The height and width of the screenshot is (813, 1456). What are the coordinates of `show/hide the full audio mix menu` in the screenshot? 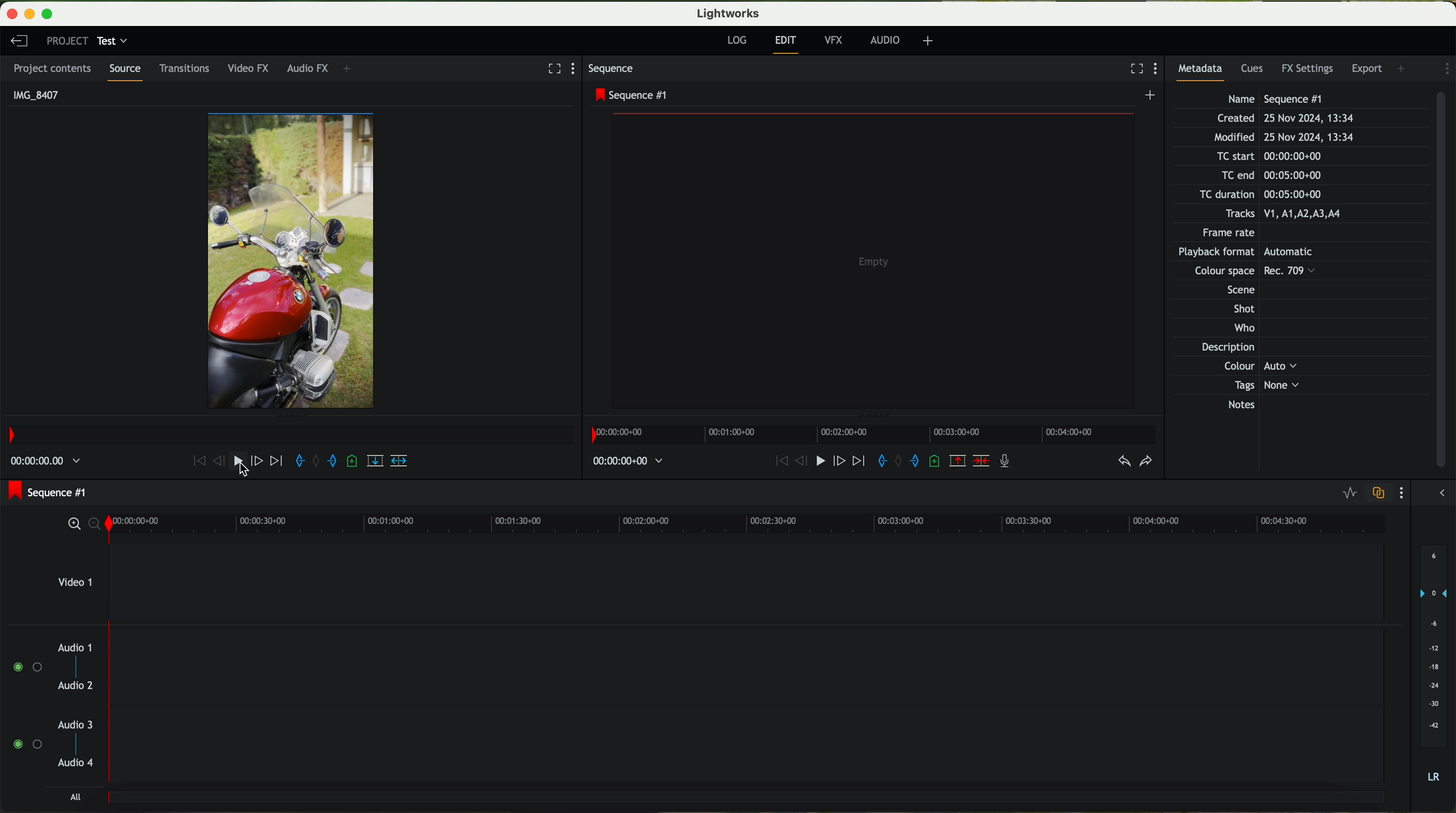 It's located at (1442, 491).